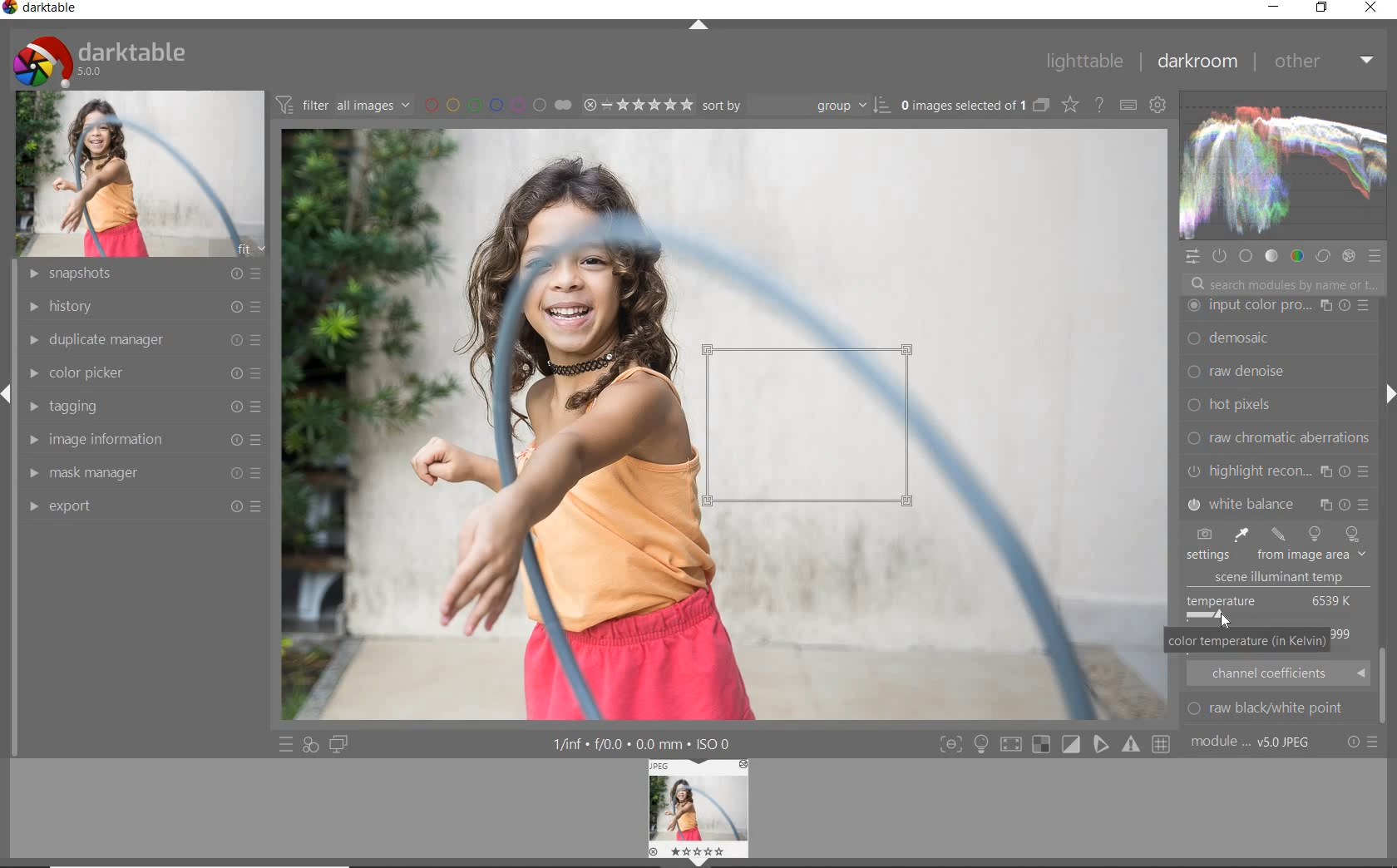 The image size is (1397, 868). Describe the element at coordinates (1286, 578) in the screenshot. I see `SCENE ILLUMINANT TEMP` at that location.